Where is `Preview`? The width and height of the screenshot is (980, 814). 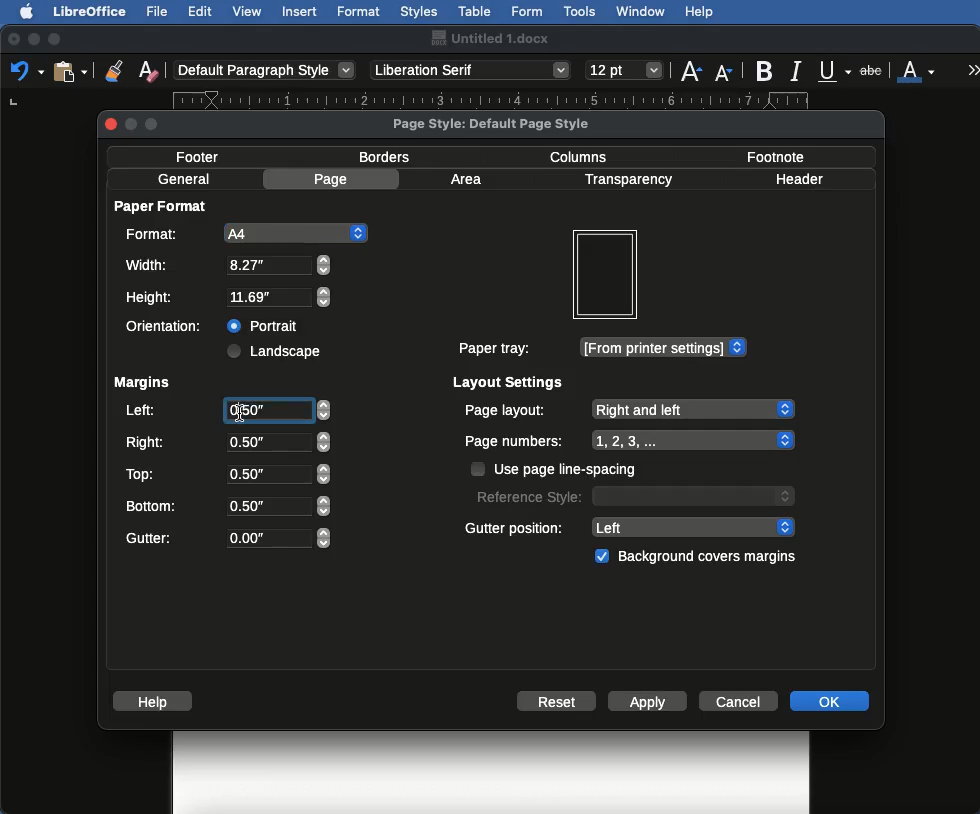 Preview is located at coordinates (604, 275).